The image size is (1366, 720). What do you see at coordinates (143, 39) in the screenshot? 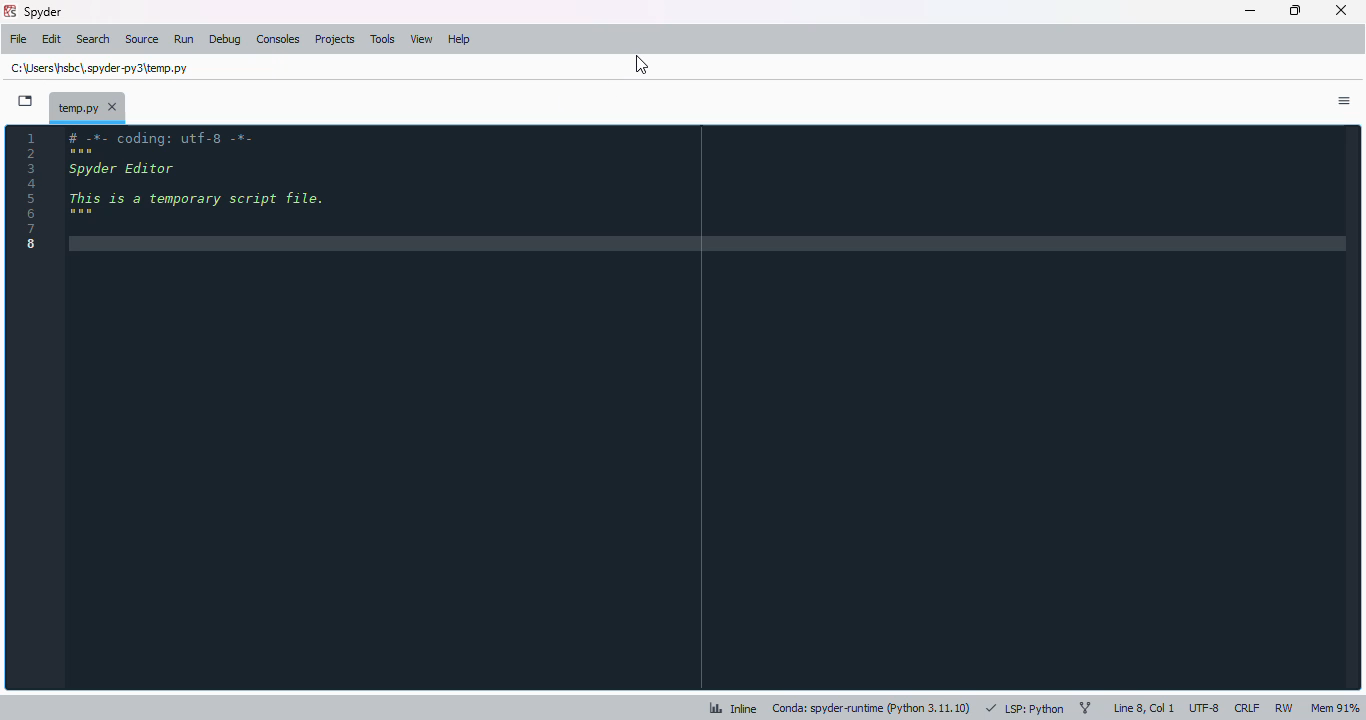
I see `source` at bounding box center [143, 39].